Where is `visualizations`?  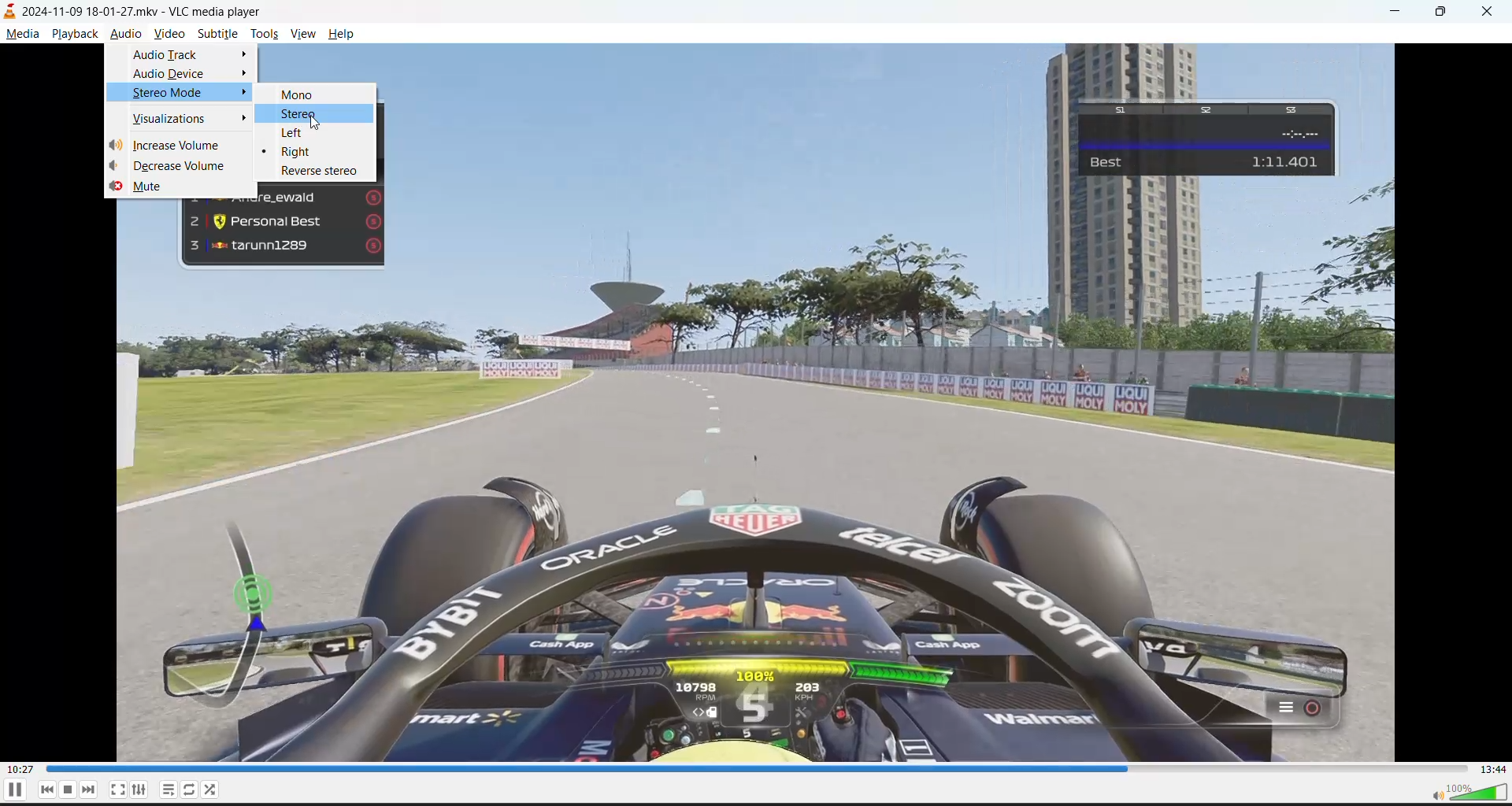 visualizations is located at coordinates (169, 120).